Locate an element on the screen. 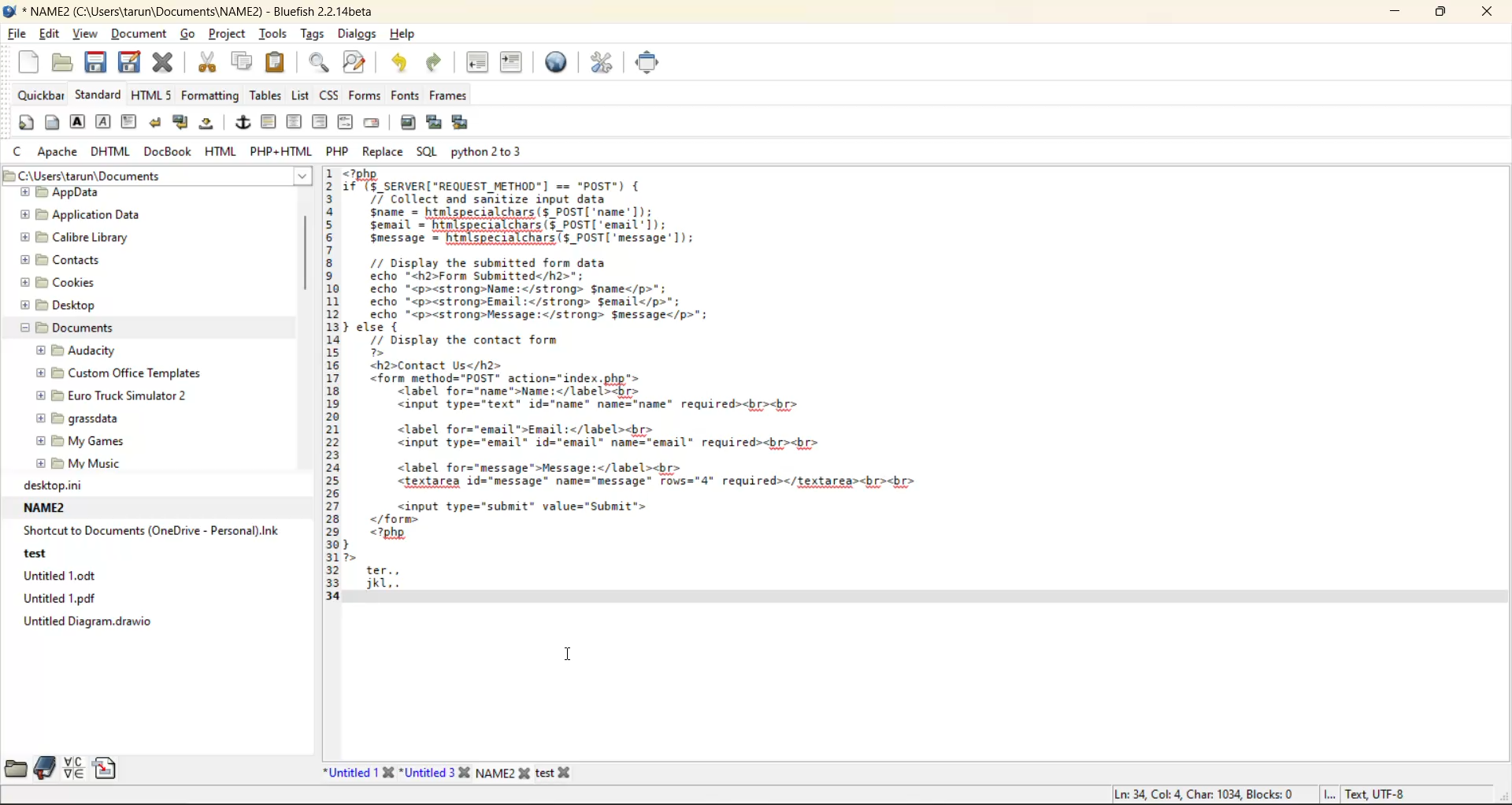 This screenshot has height=805, width=1512. non breaking space is located at coordinates (211, 126).